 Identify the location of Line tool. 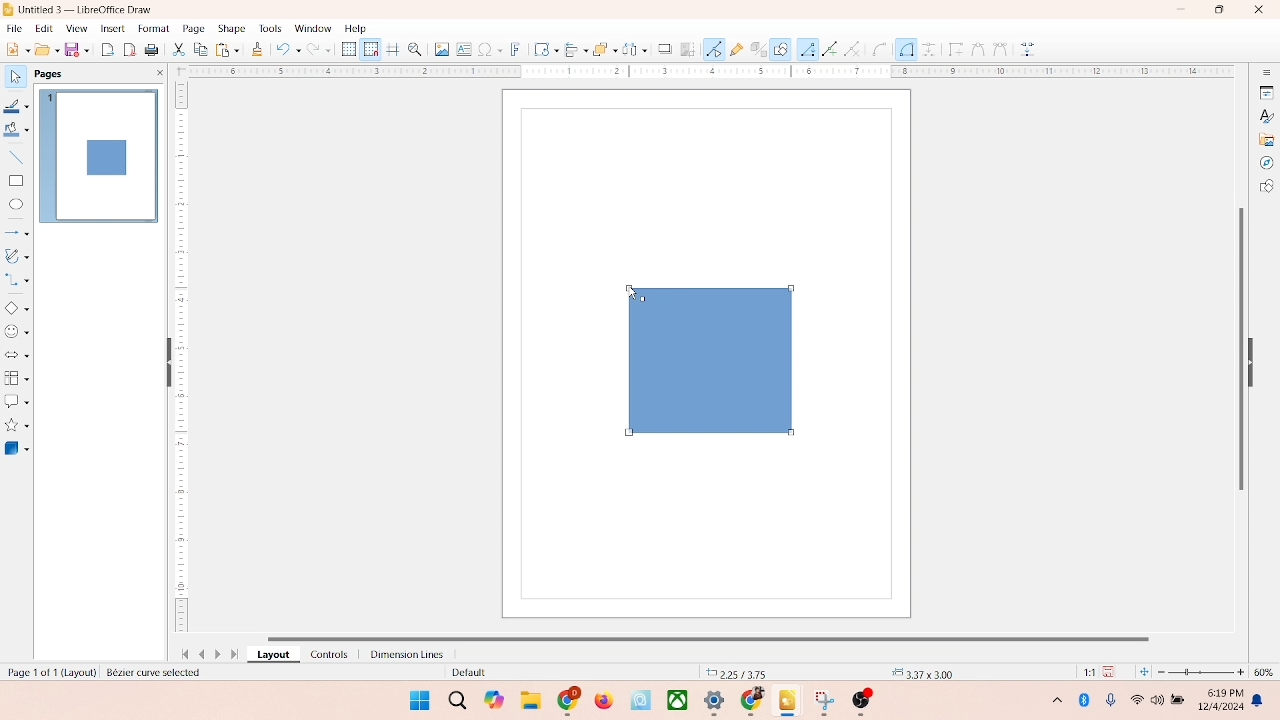
(807, 48).